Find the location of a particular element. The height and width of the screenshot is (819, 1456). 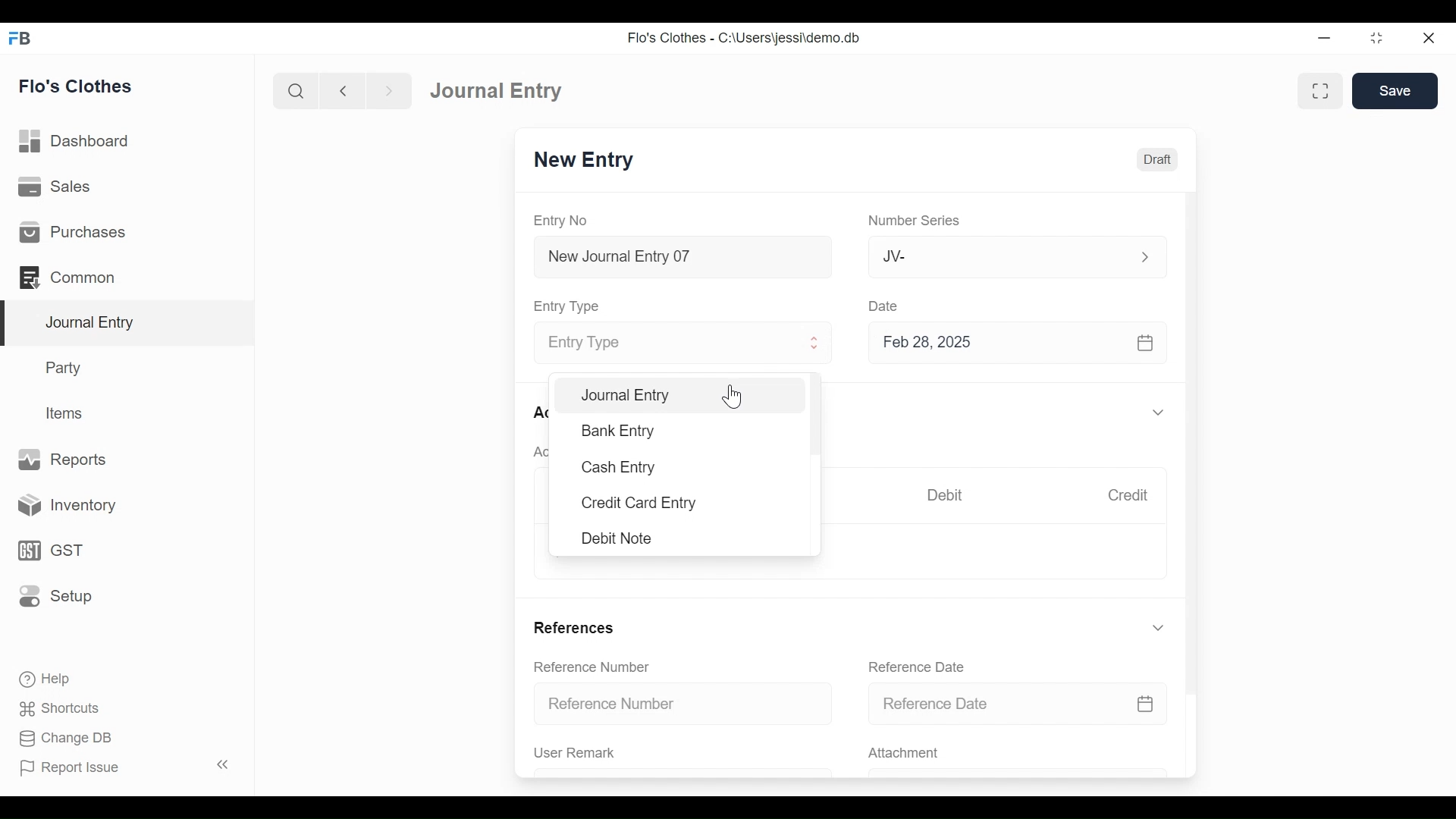

Search is located at coordinates (296, 92).